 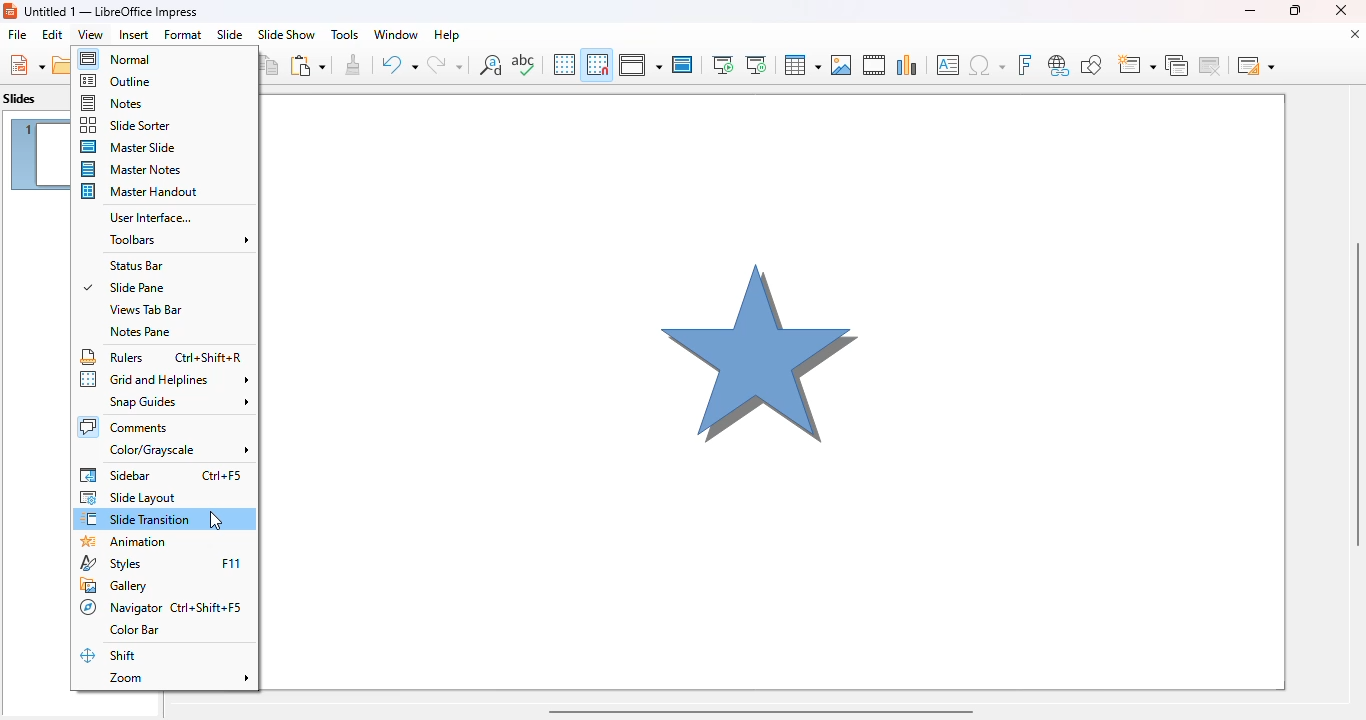 What do you see at coordinates (1341, 10) in the screenshot?
I see `close` at bounding box center [1341, 10].